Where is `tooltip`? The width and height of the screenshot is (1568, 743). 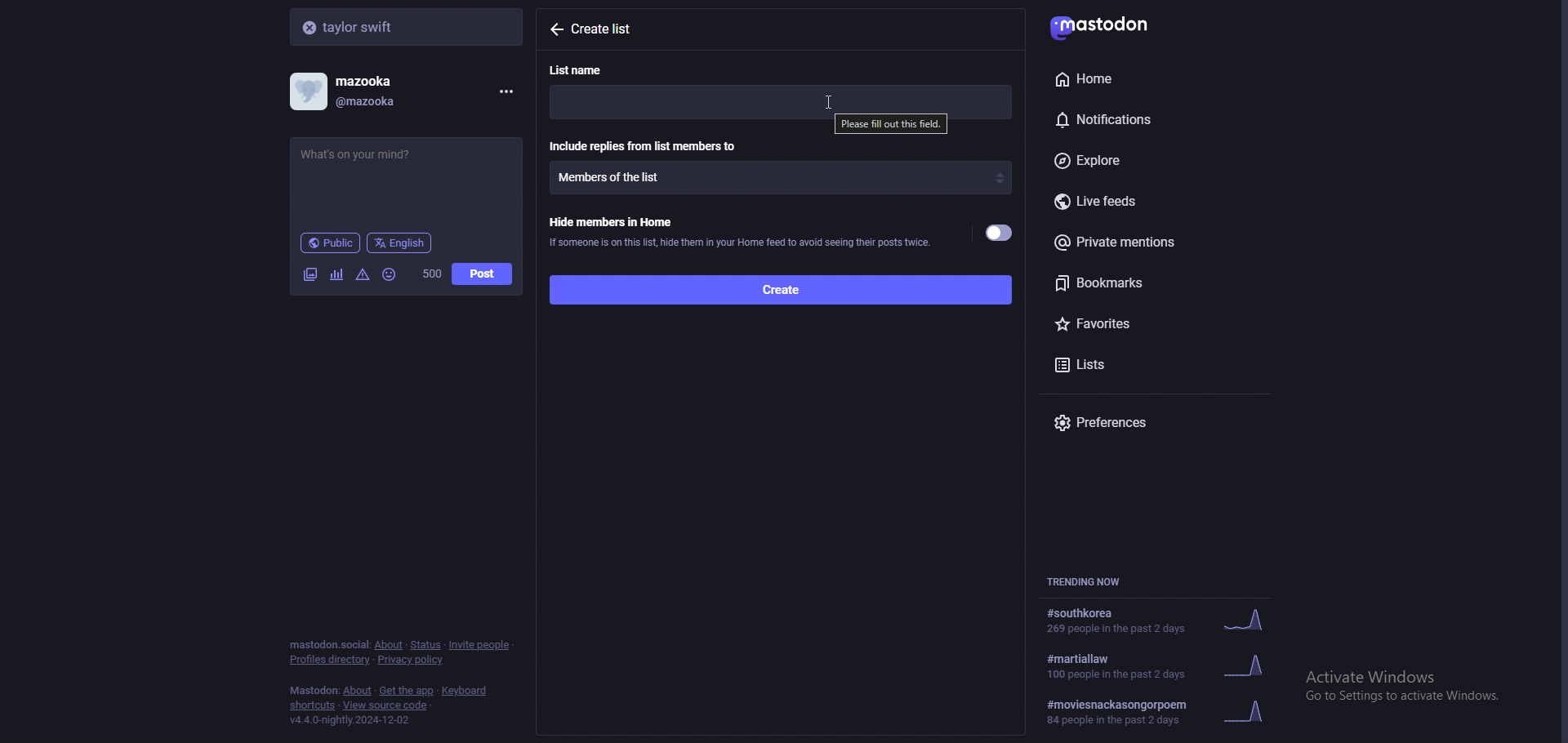 tooltip is located at coordinates (890, 125).